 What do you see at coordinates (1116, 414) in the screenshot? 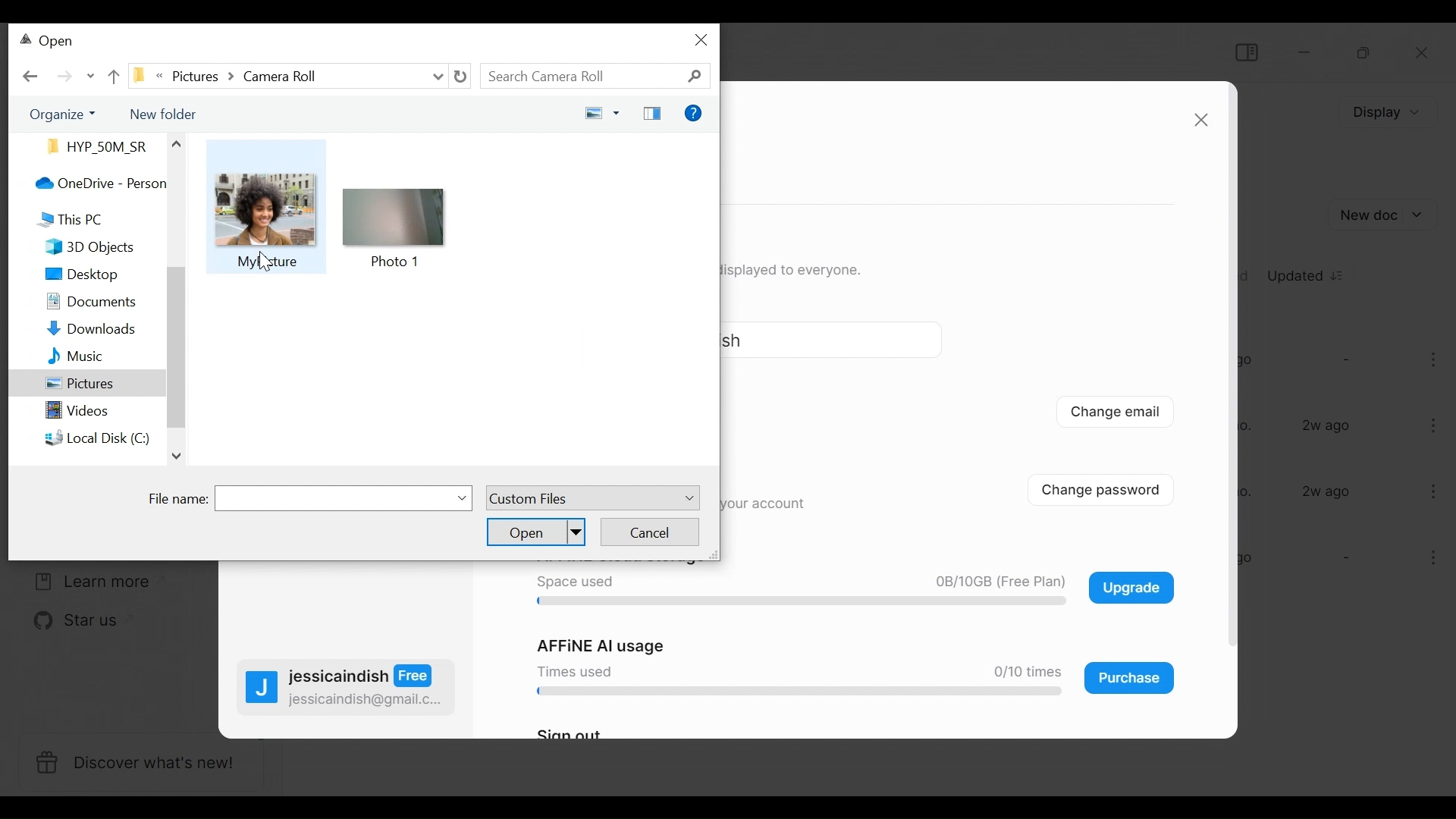
I see `Change email` at bounding box center [1116, 414].